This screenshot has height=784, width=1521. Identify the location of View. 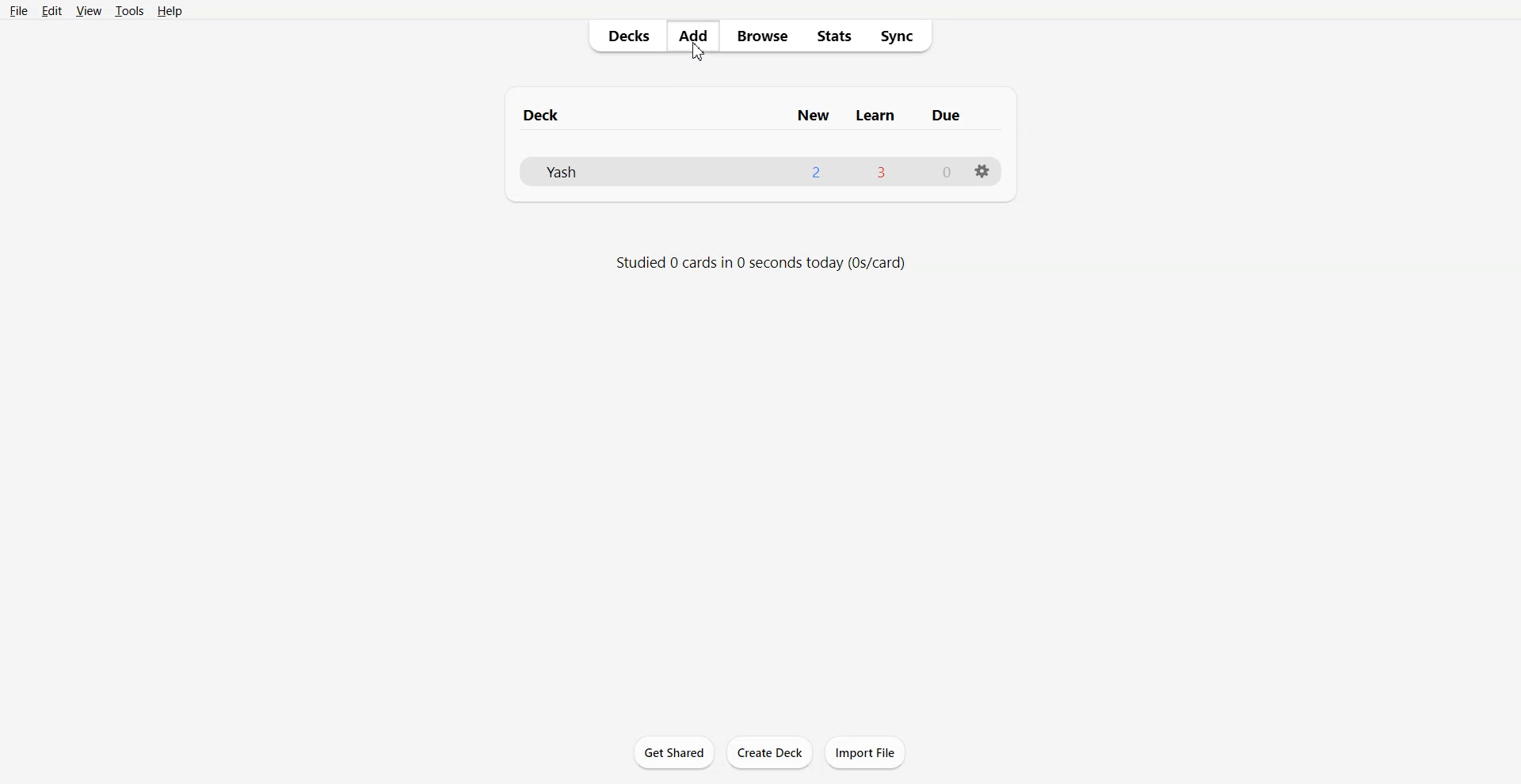
(87, 10).